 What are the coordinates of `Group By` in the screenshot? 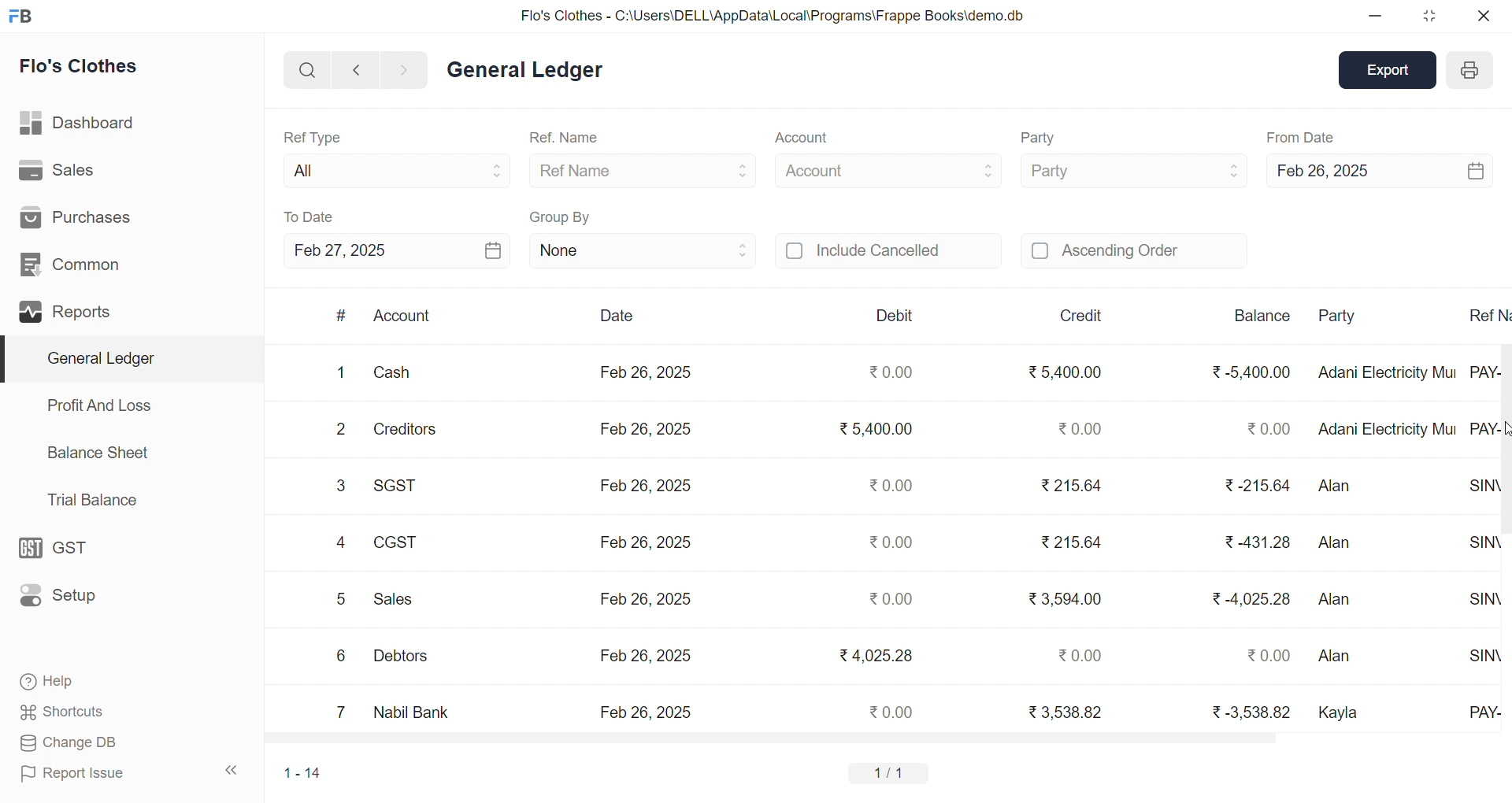 It's located at (561, 215).